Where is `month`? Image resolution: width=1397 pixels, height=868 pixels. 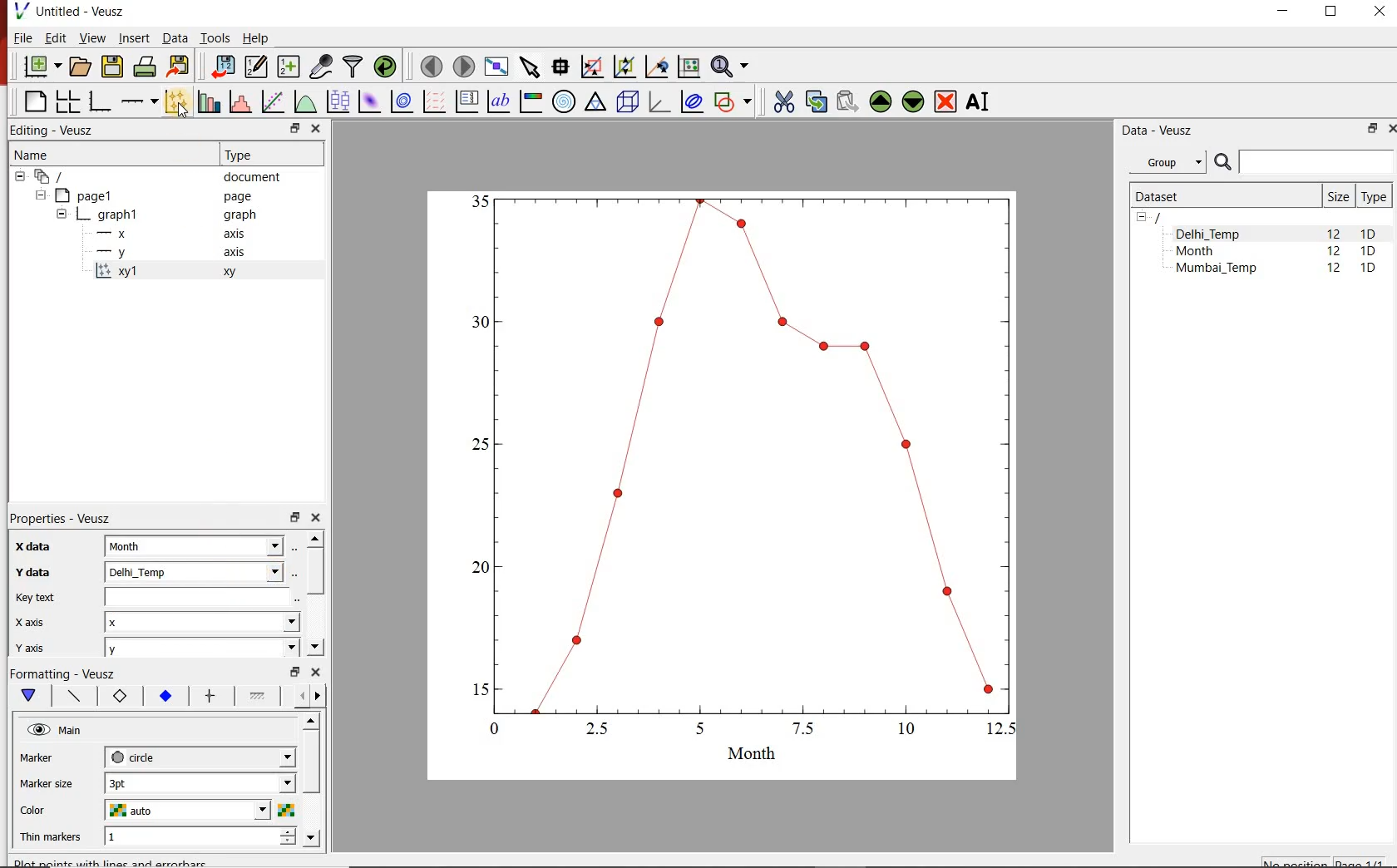
month is located at coordinates (201, 546).